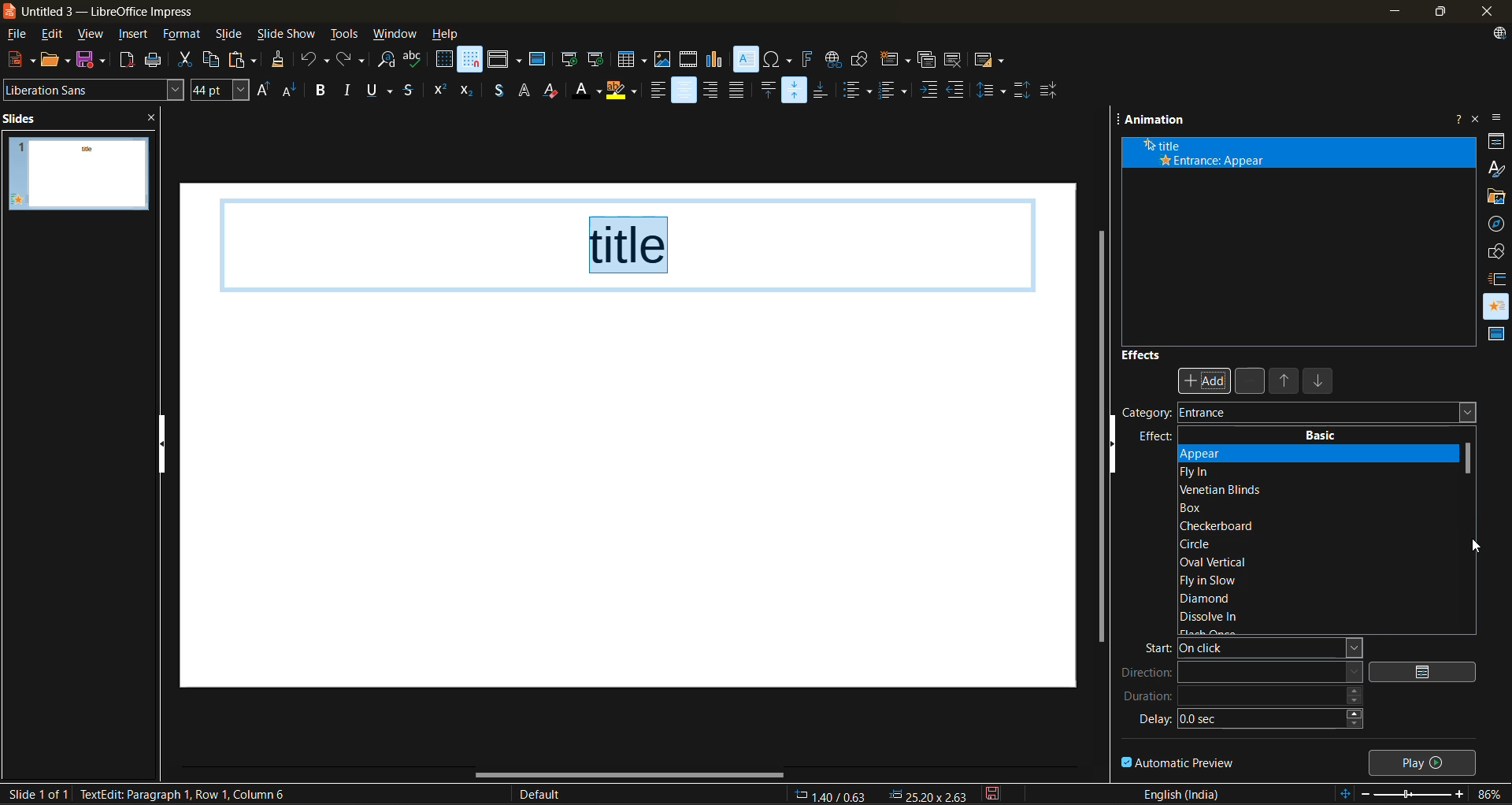 This screenshot has width=1512, height=805. What do you see at coordinates (807, 59) in the screenshot?
I see `insert fontwork text` at bounding box center [807, 59].